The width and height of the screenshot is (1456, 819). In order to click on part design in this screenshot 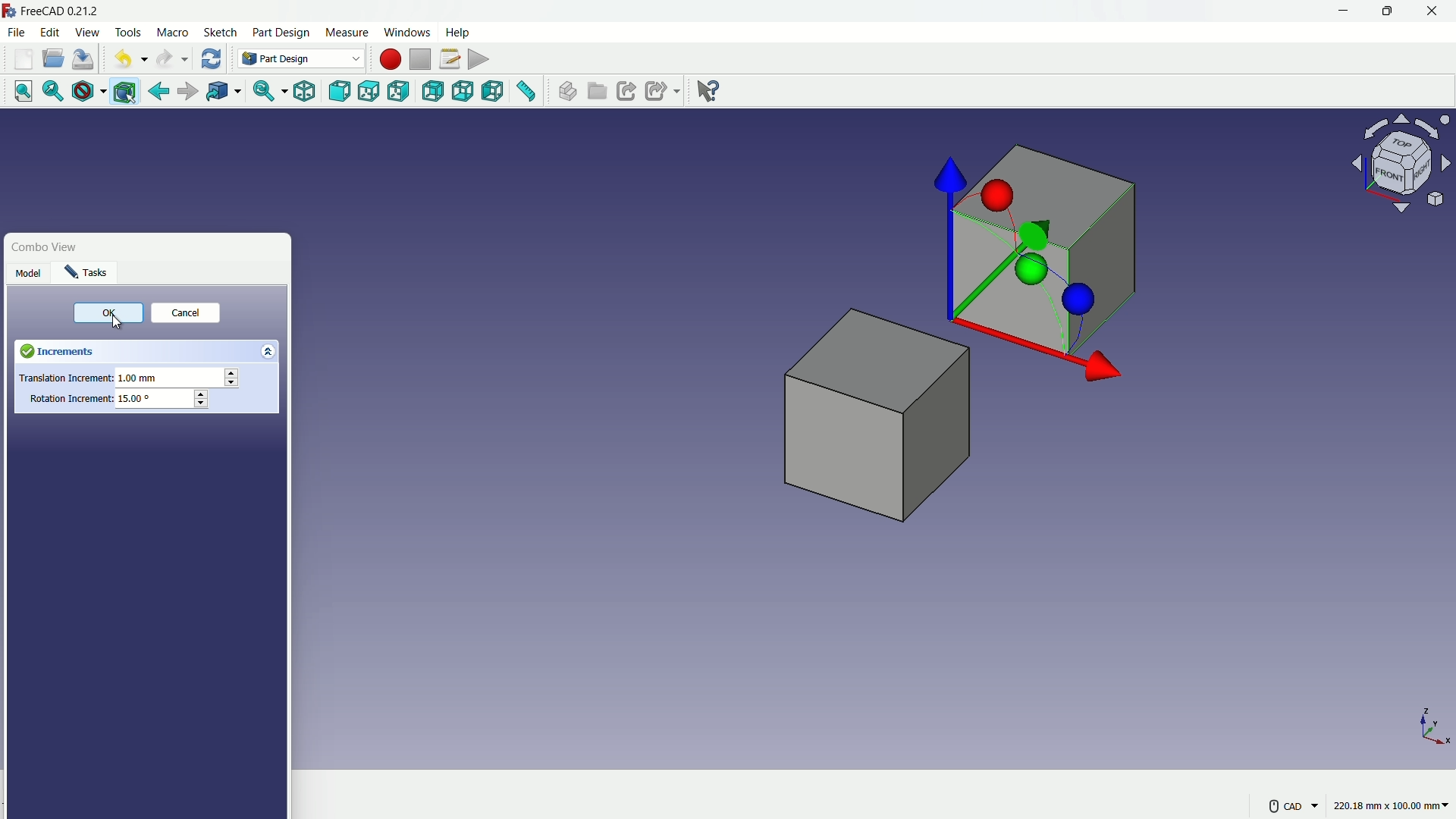, I will do `click(281, 33)`.